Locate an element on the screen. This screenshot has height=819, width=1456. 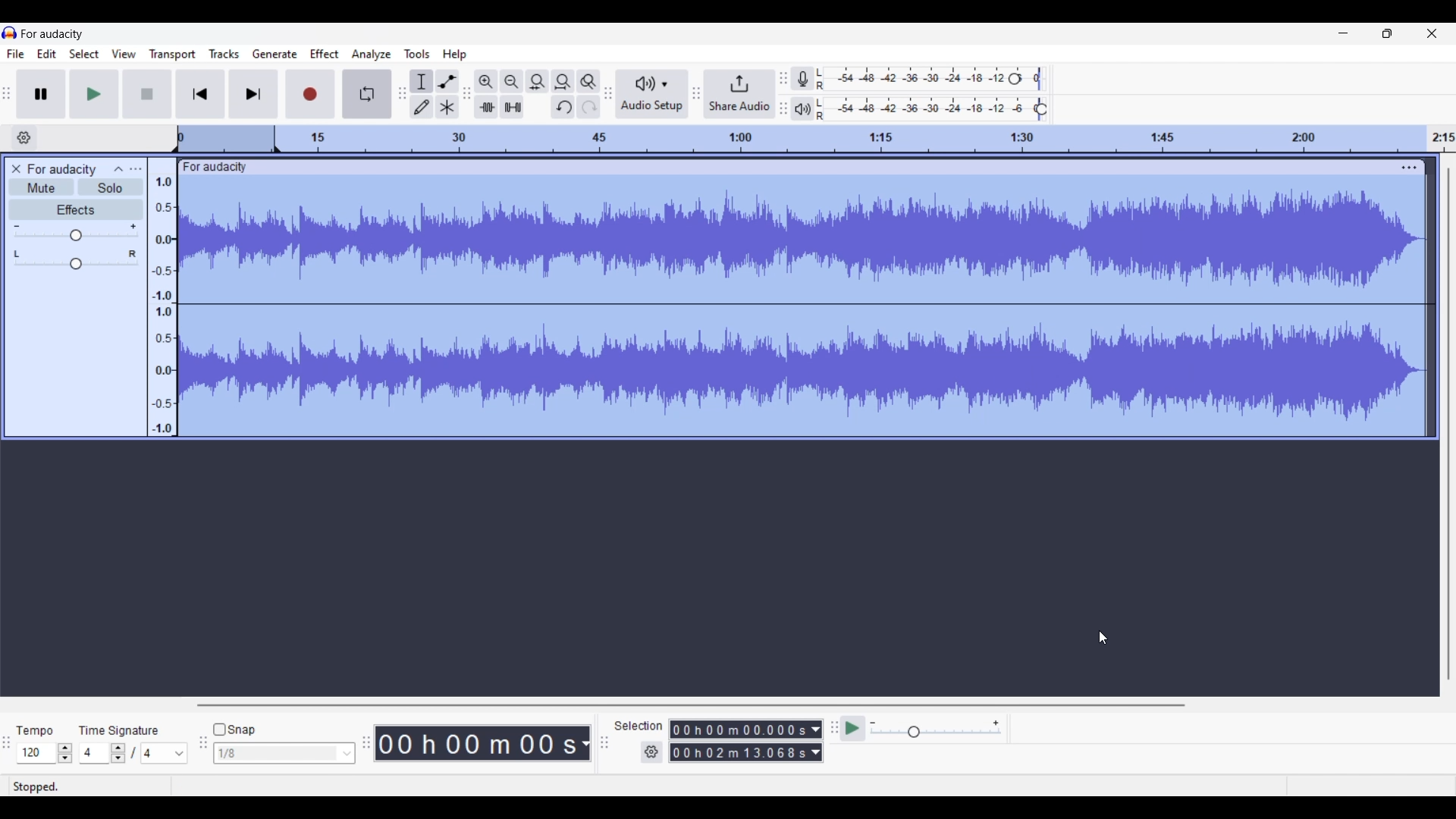
Change pan is located at coordinates (76, 265).